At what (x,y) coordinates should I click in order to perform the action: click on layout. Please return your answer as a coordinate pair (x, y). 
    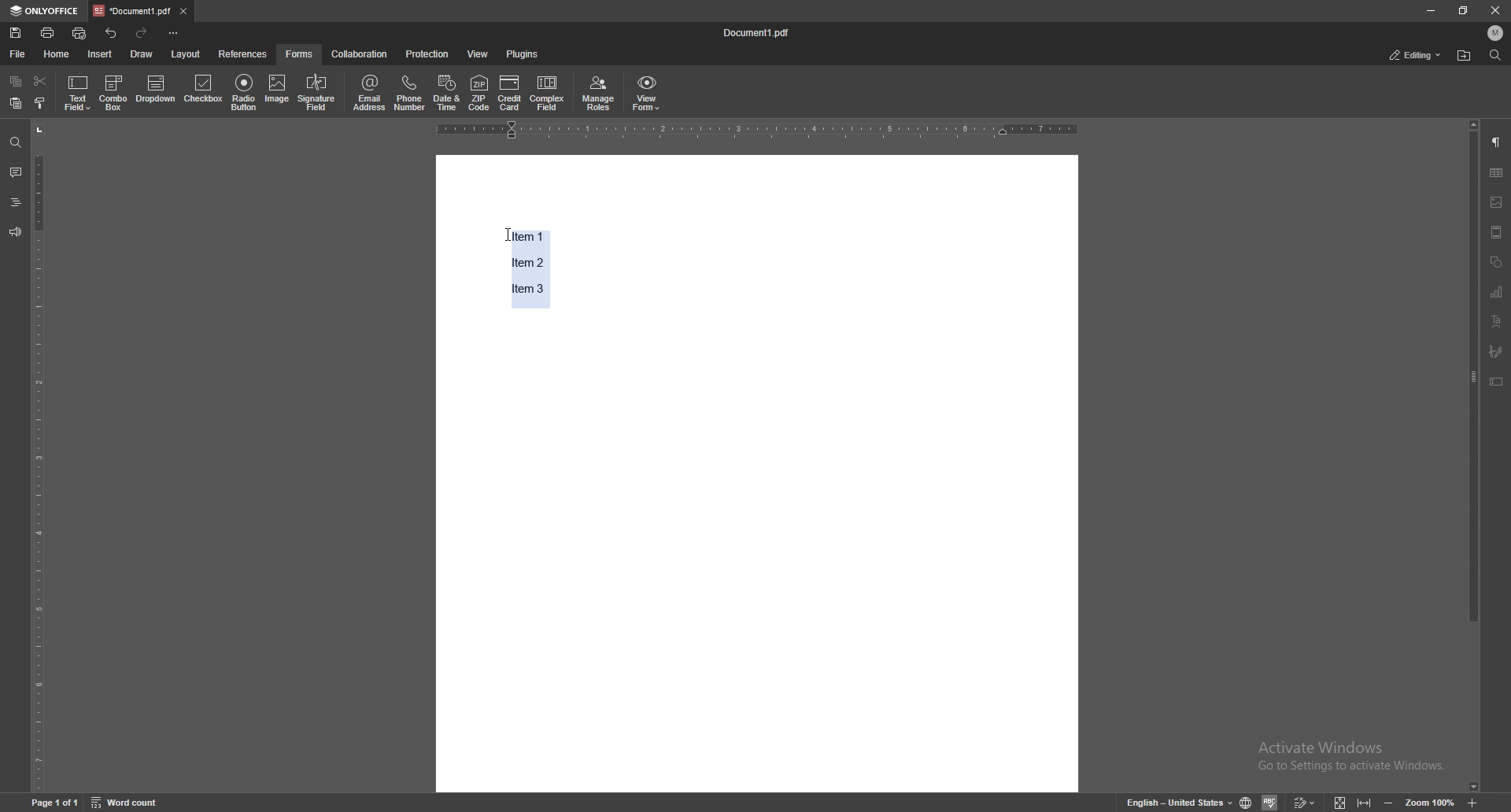
    Looking at the image, I should click on (186, 54).